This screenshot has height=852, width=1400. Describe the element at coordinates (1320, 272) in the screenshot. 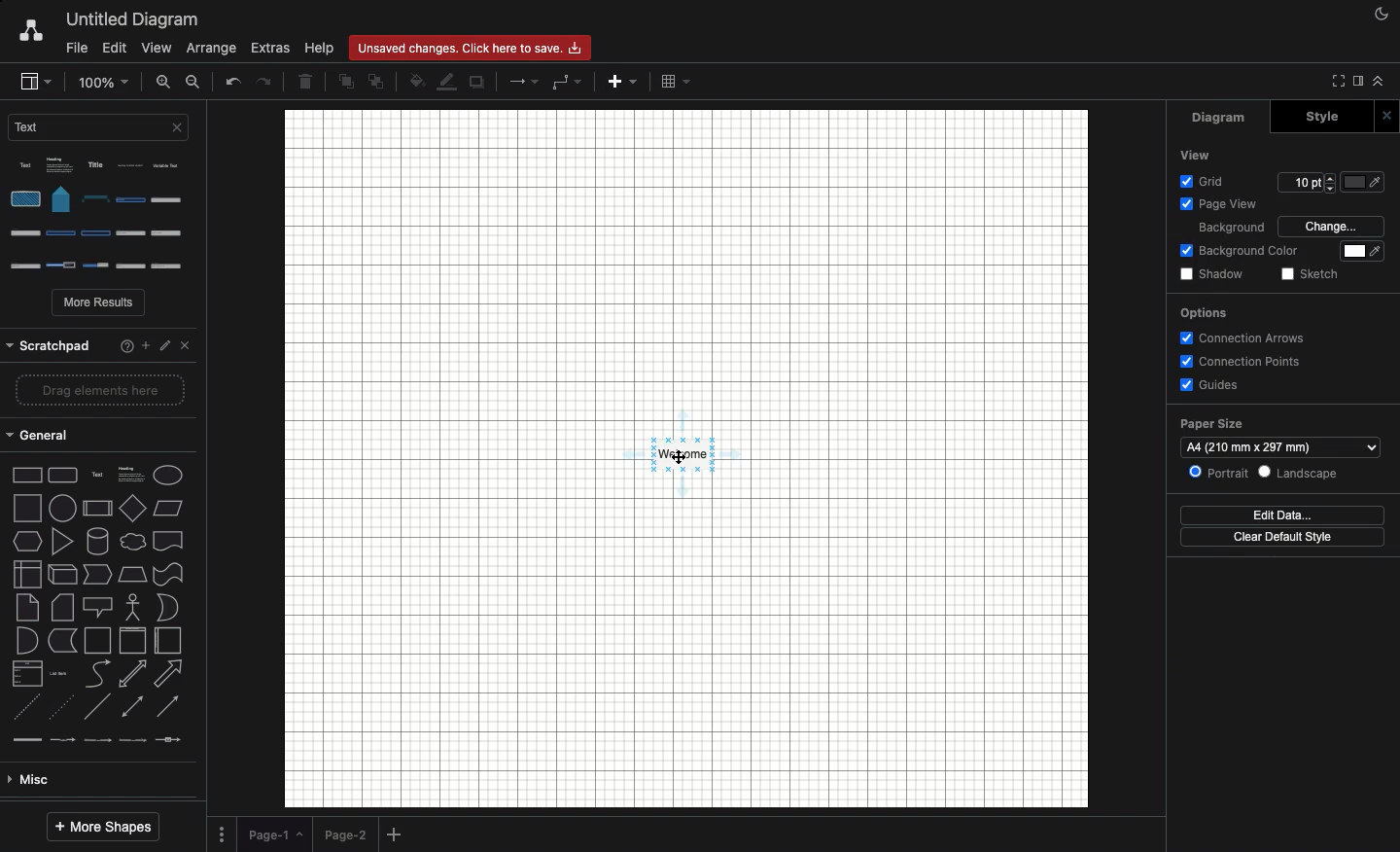

I see `sketch` at that location.